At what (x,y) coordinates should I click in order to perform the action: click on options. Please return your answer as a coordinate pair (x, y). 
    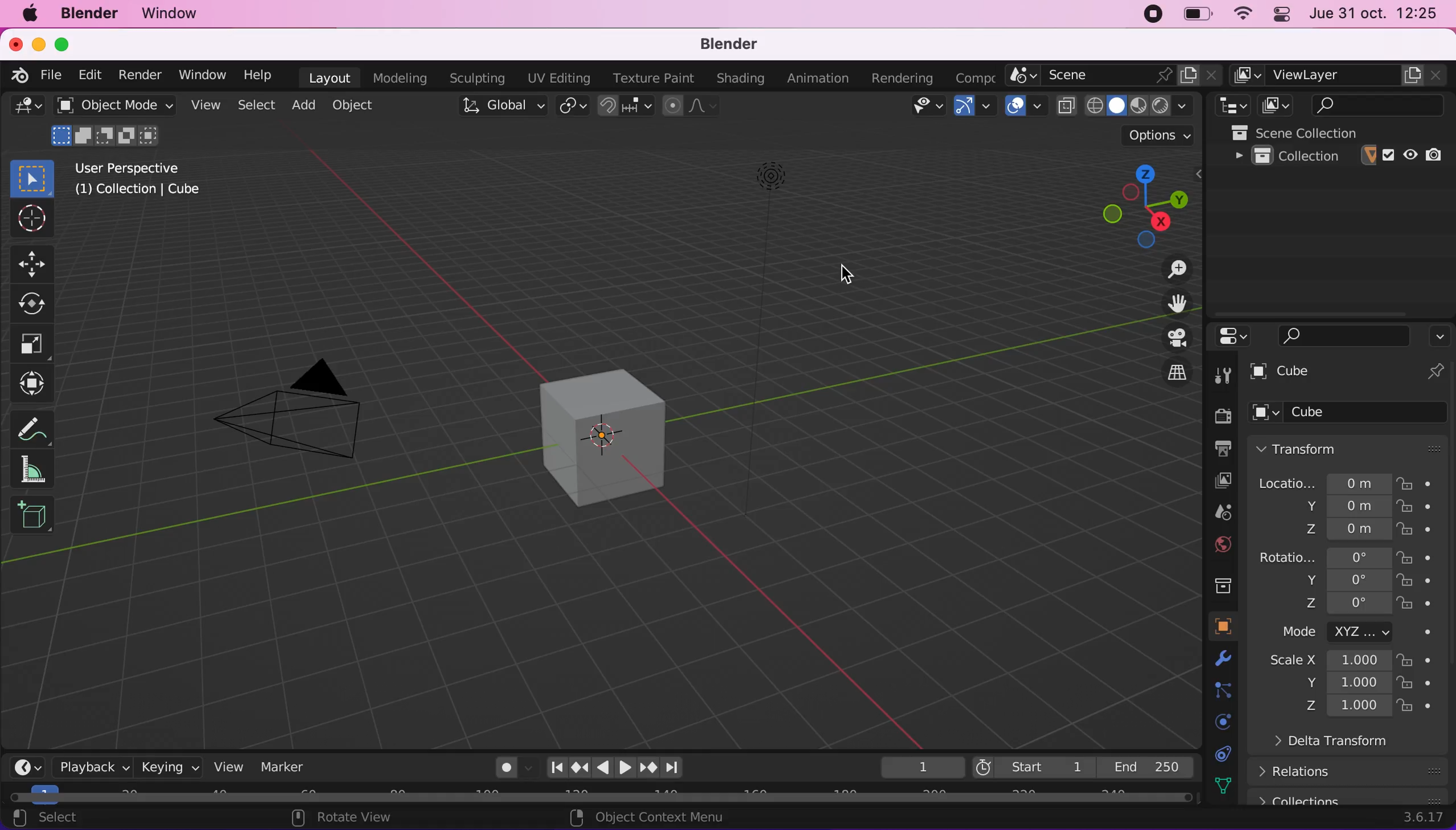
    Looking at the image, I should click on (1159, 135).